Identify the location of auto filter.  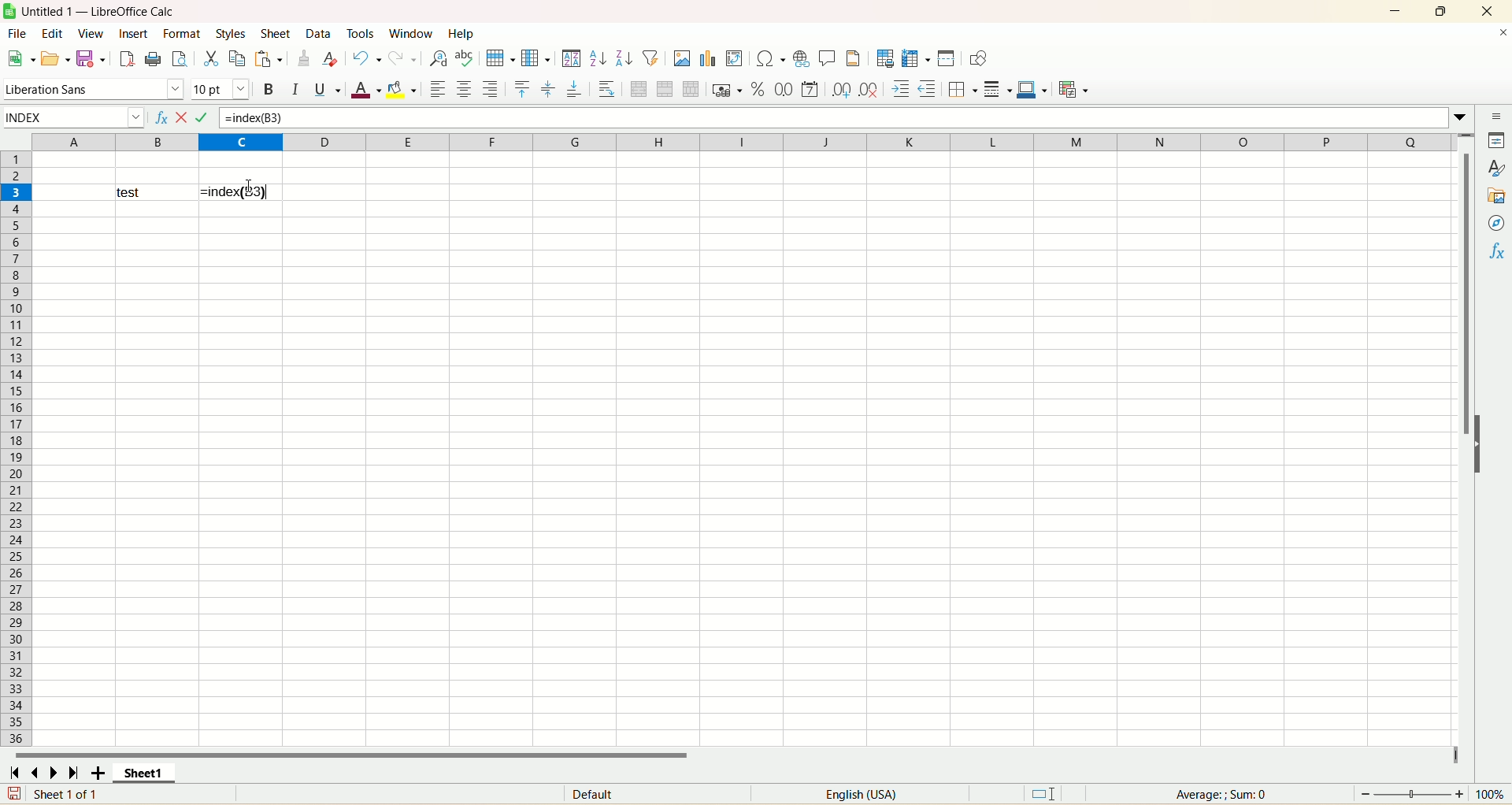
(650, 57).